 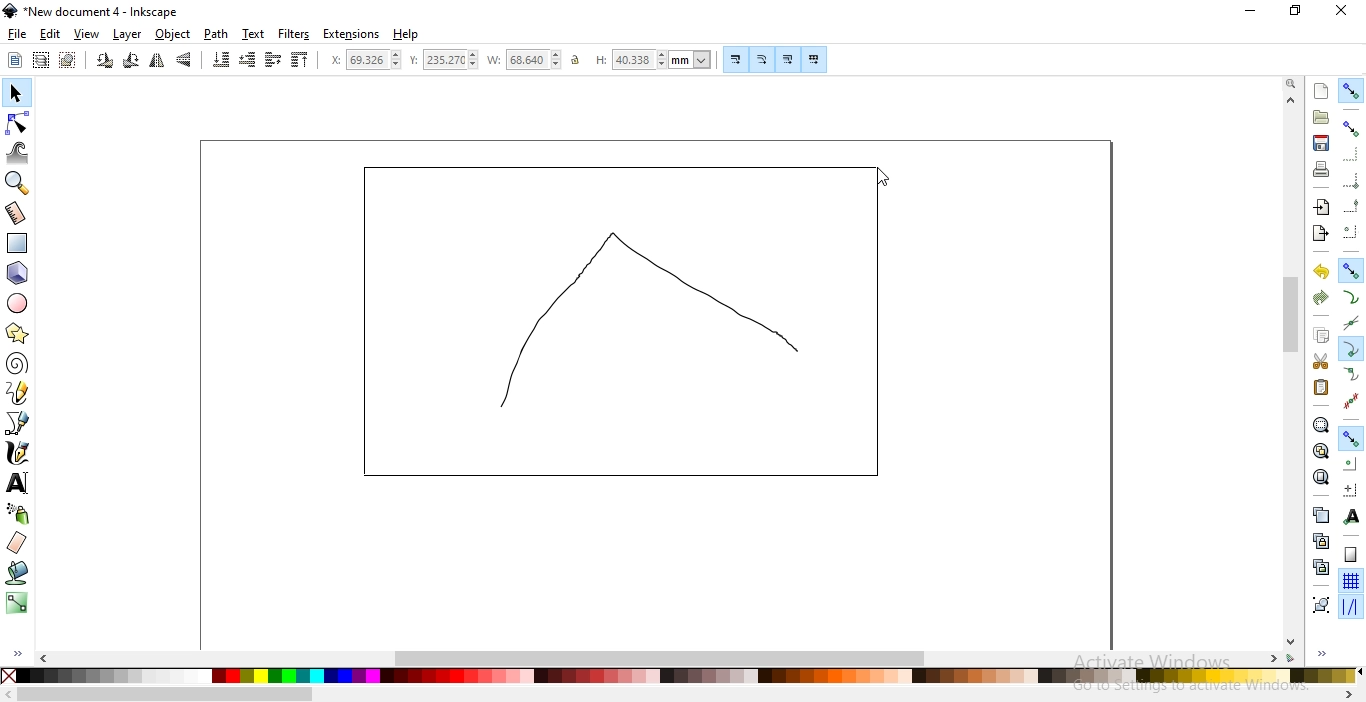 What do you see at coordinates (19, 453) in the screenshot?
I see `draw calligraphic or brush strokes` at bounding box center [19, 453].